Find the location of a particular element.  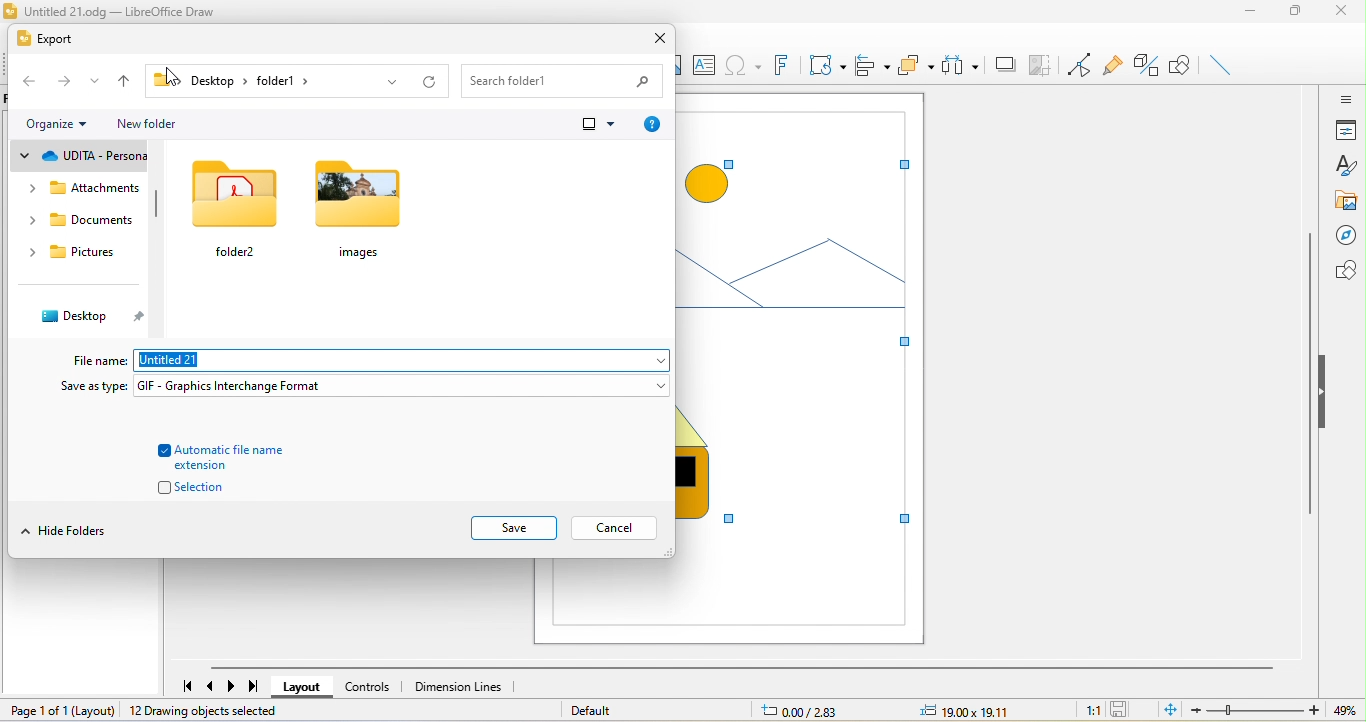

lmages is located at coordinates (362, 216).